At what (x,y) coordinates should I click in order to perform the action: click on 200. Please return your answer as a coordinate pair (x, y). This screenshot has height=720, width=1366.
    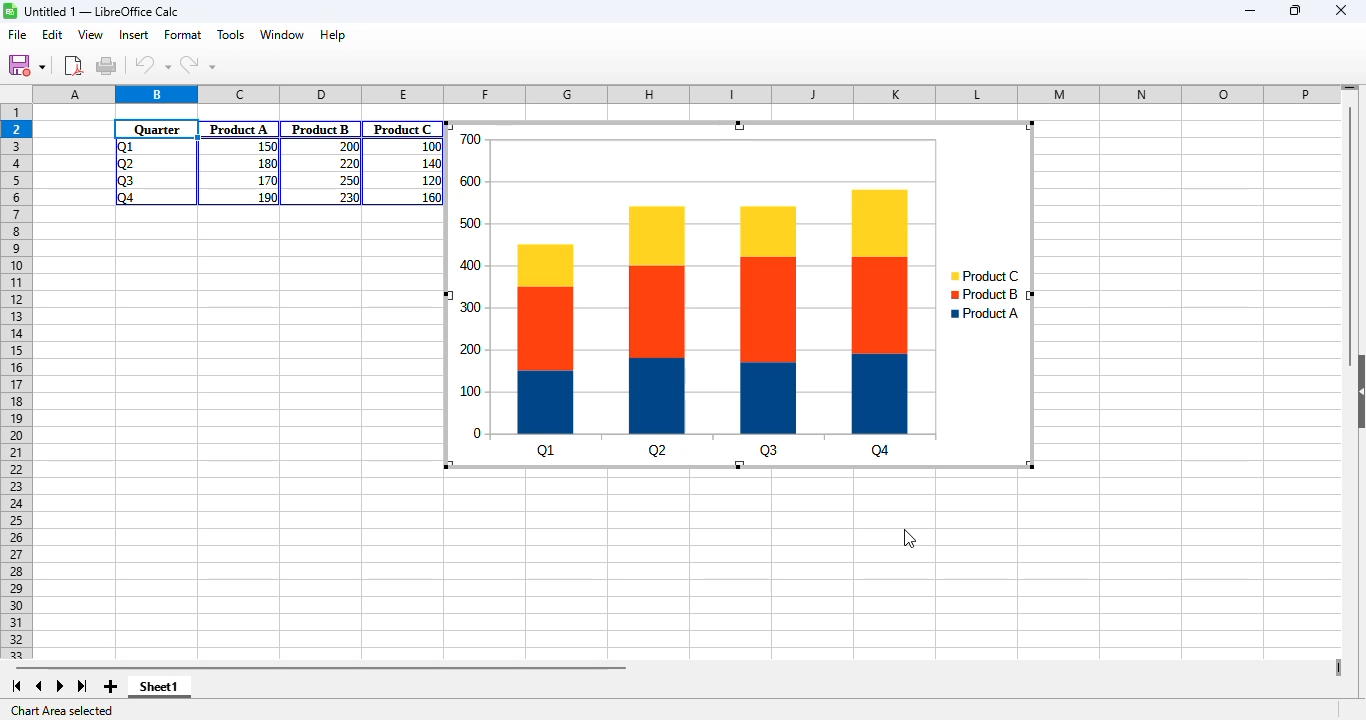
    Looking at the image, I should click on (347, 147).